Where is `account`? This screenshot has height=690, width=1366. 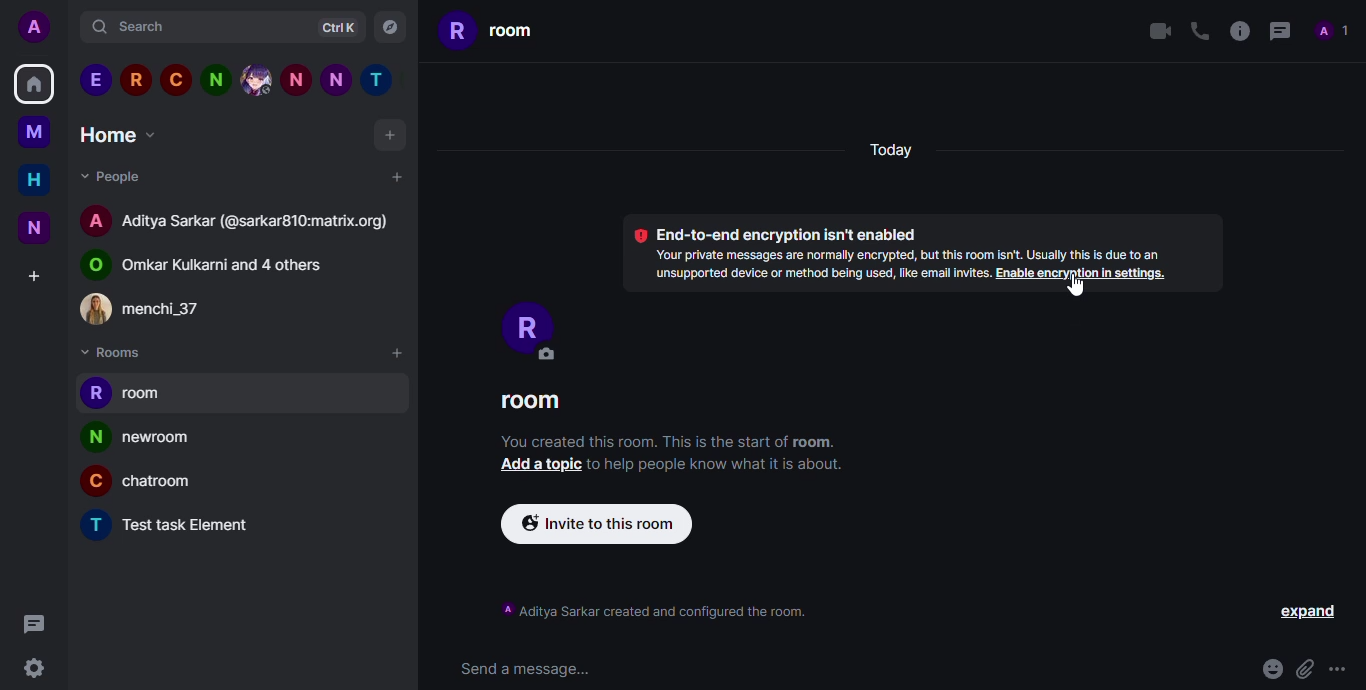
account is located at coordinates (237, 218).